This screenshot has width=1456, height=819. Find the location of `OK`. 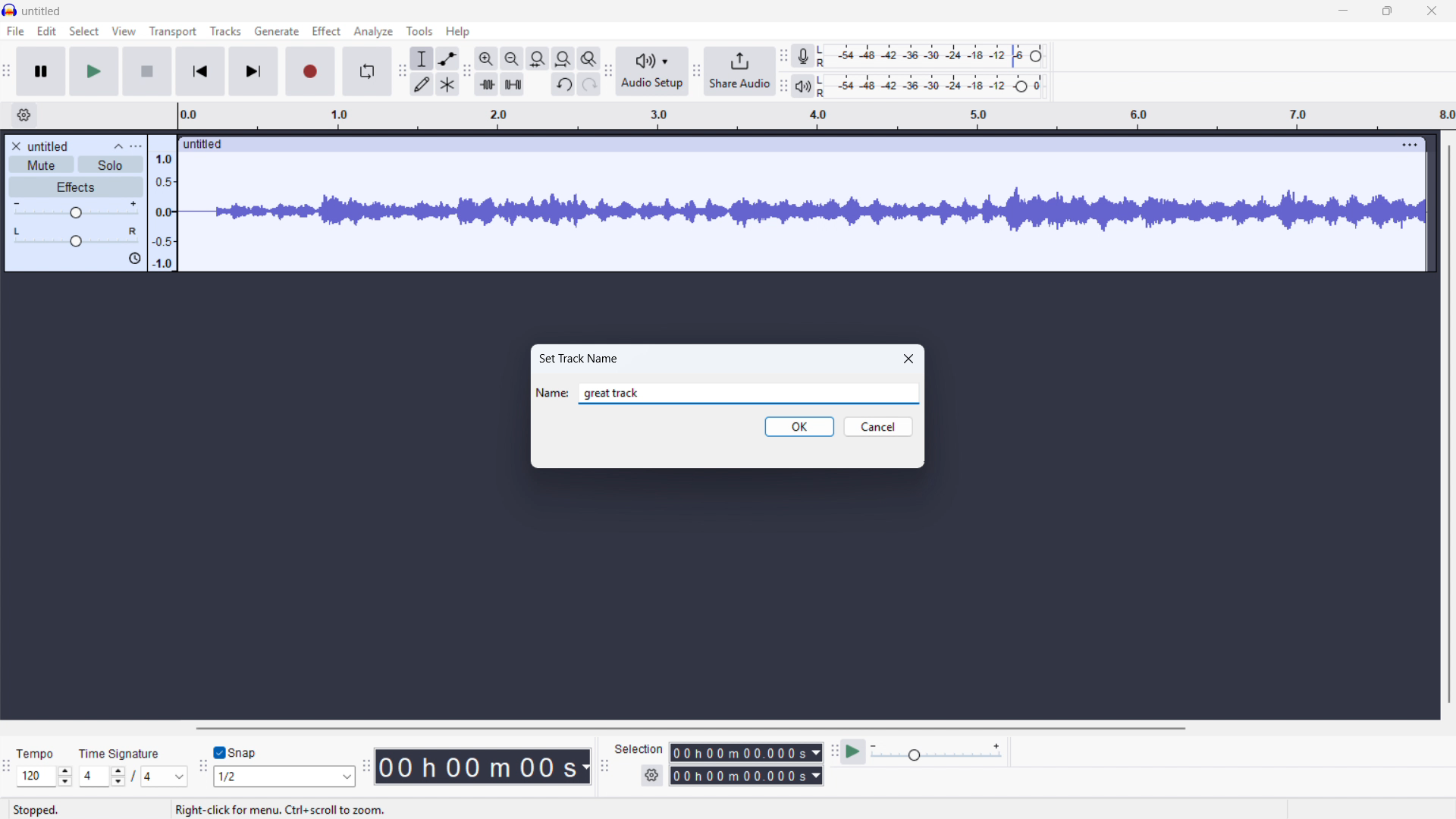

OK is located at coordinates (800, 427).